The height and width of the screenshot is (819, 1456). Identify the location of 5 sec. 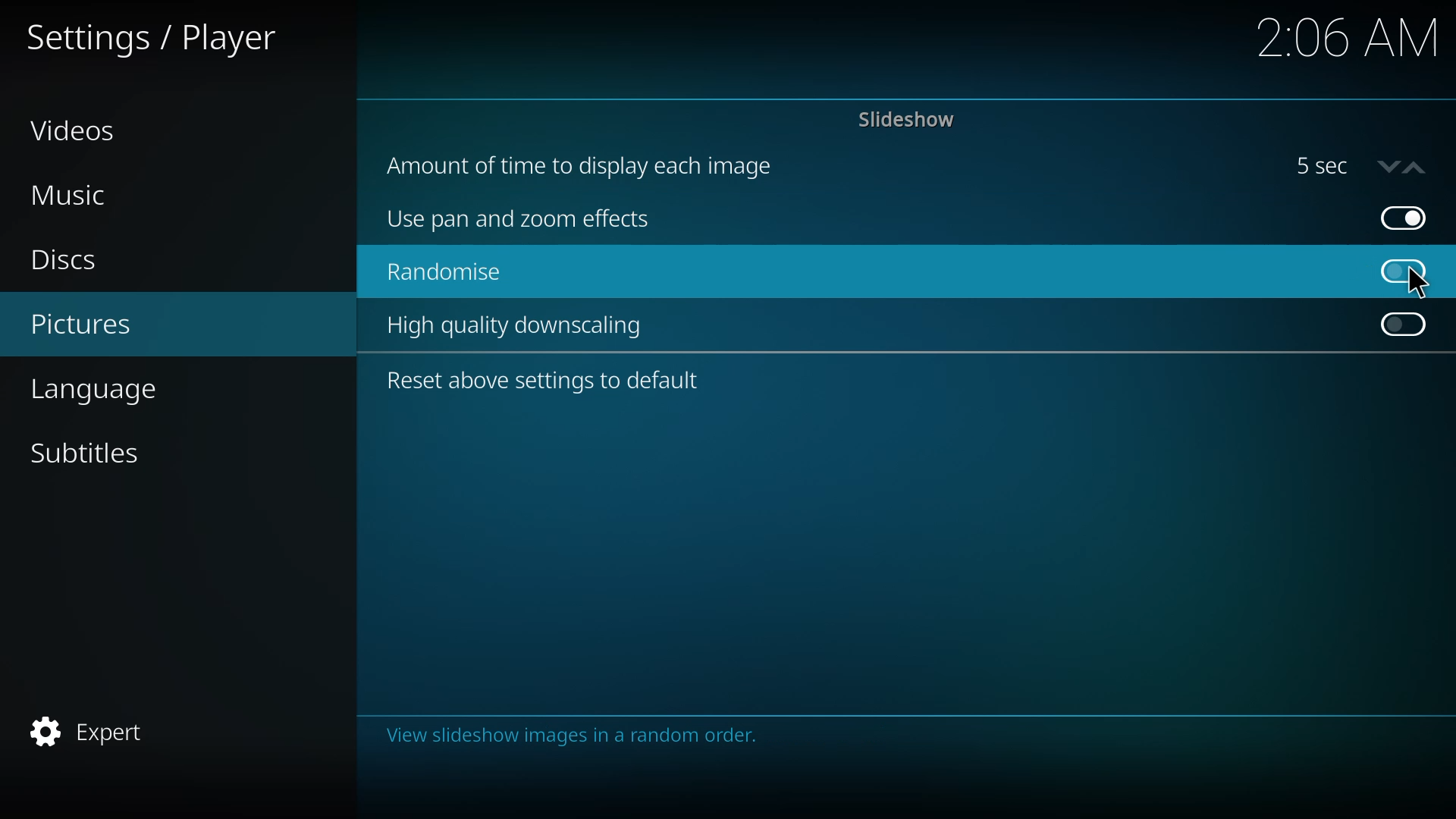
(1366, 165).